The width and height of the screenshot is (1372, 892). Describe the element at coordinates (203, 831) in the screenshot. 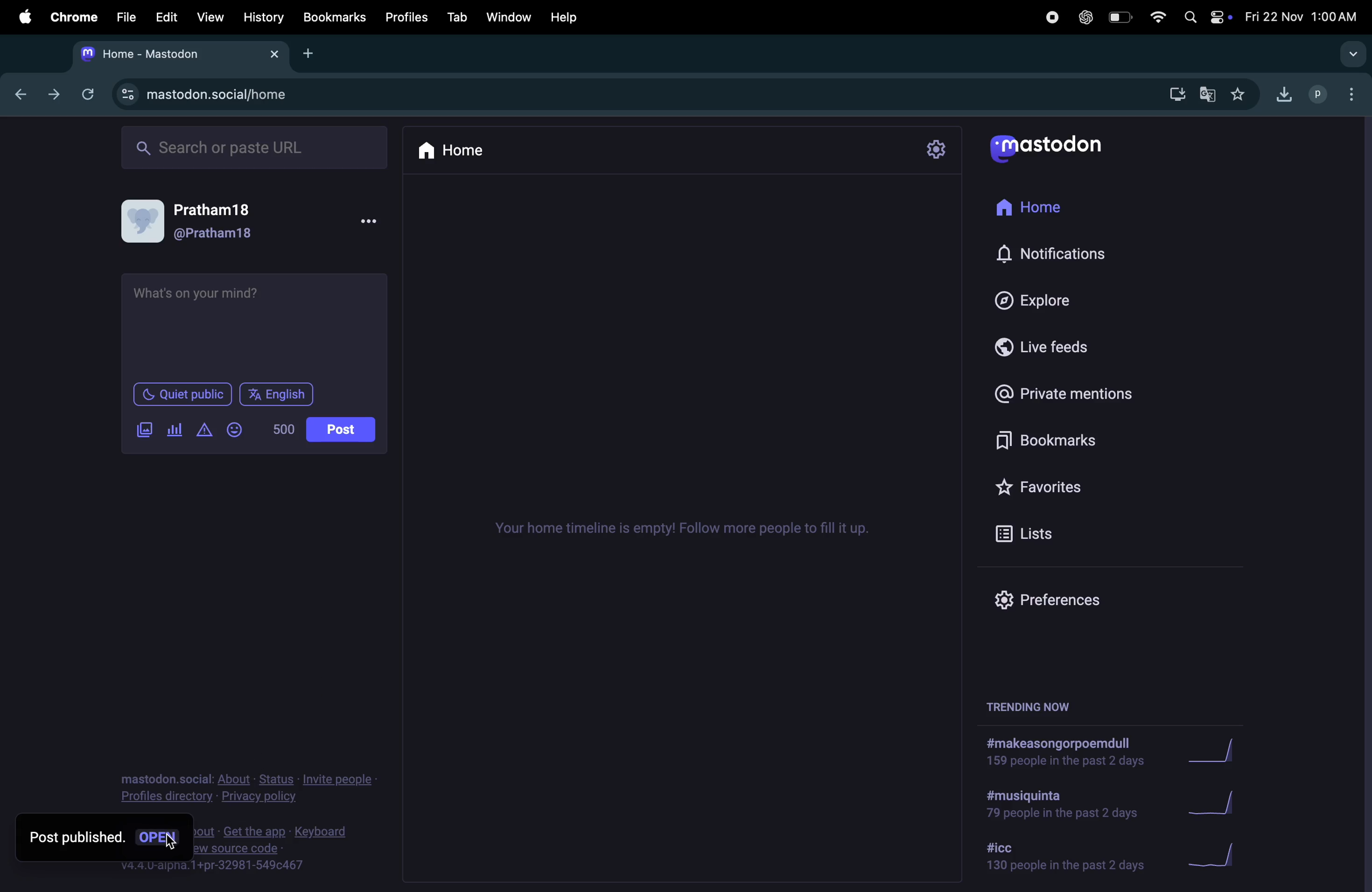

I see `about` at that location.